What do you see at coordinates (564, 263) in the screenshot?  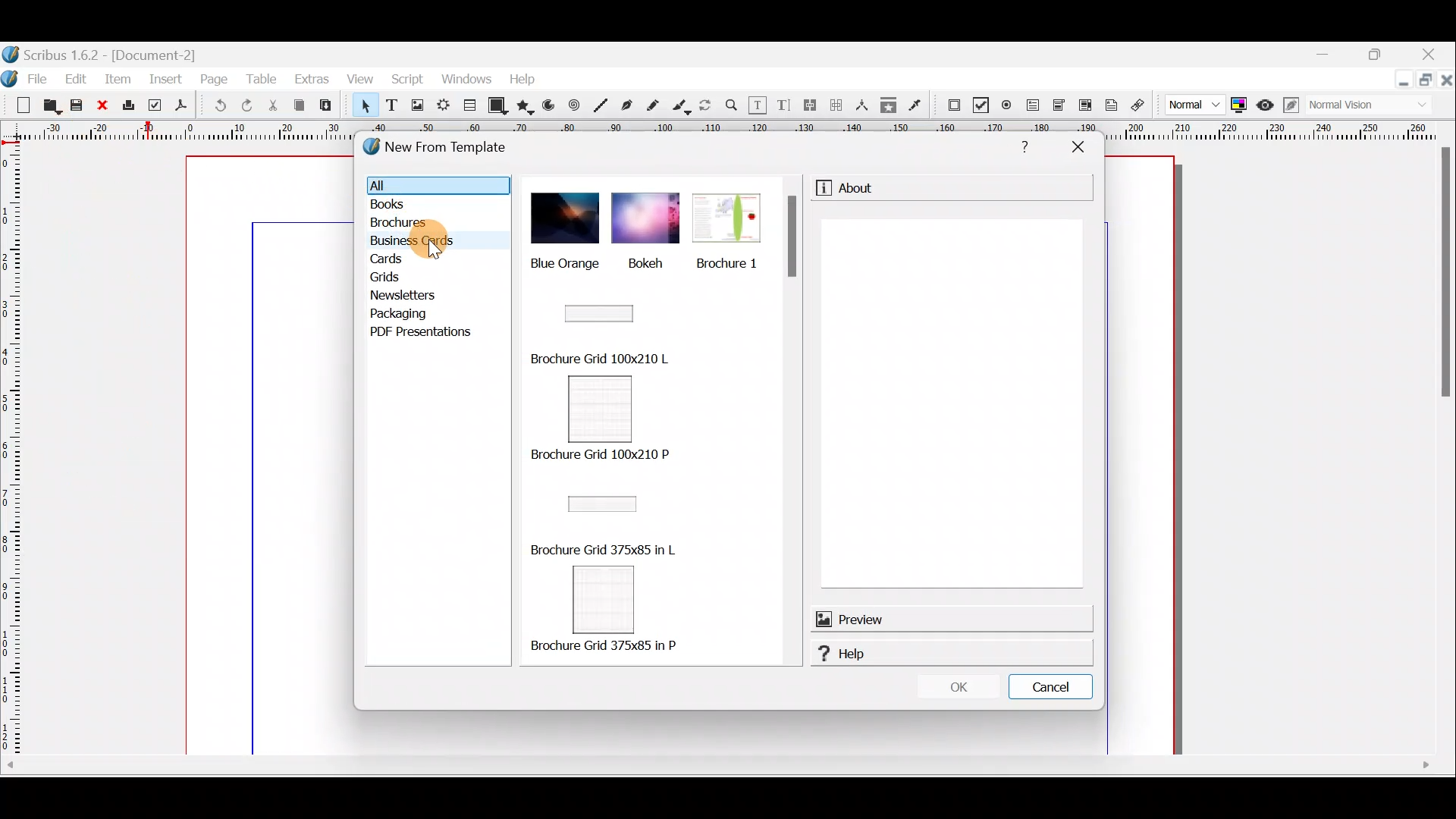 I see `Blue orange` at bounding box center [564, 263].